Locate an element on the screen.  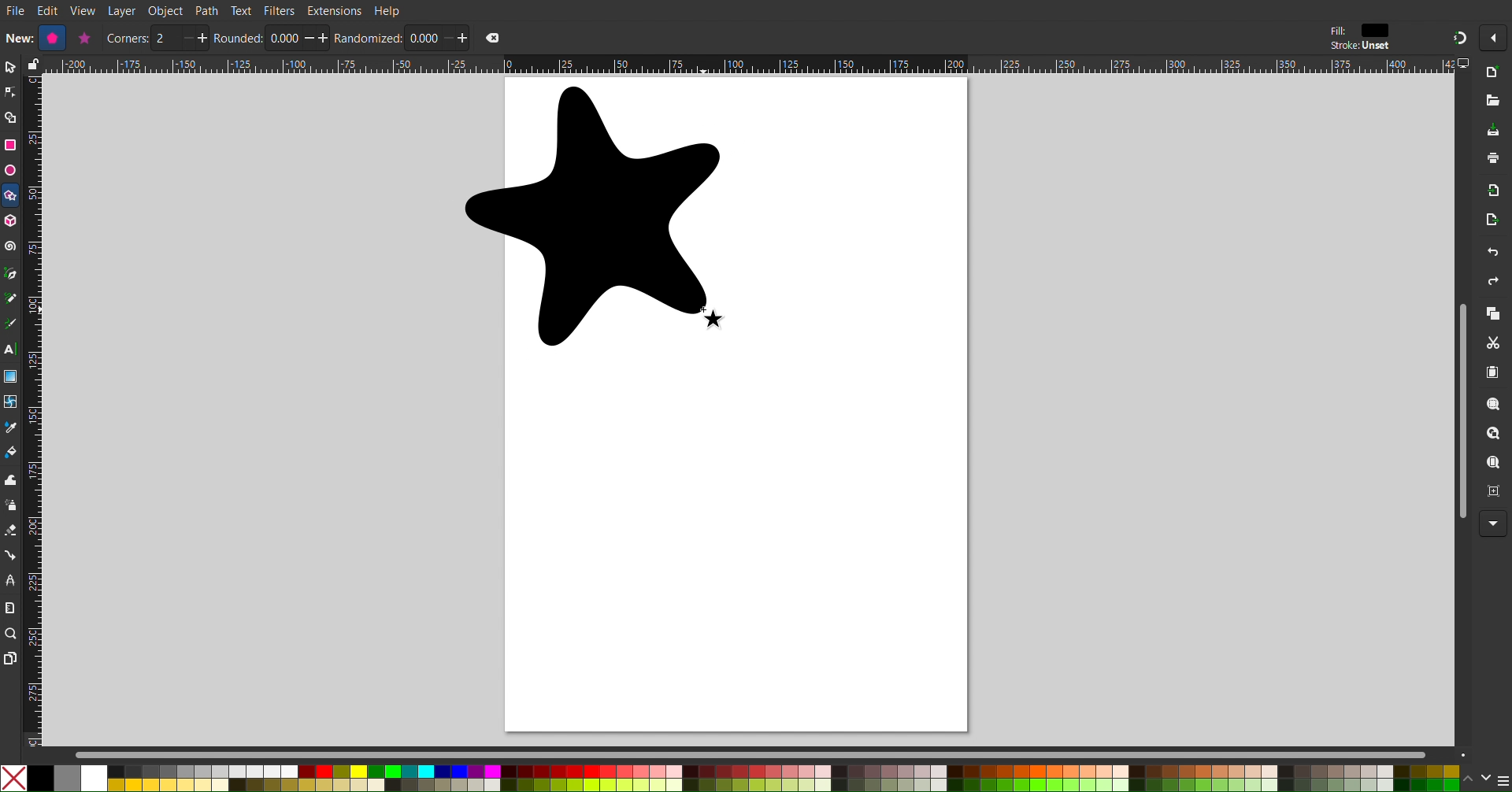
Object is located at coordinates (167, 11).